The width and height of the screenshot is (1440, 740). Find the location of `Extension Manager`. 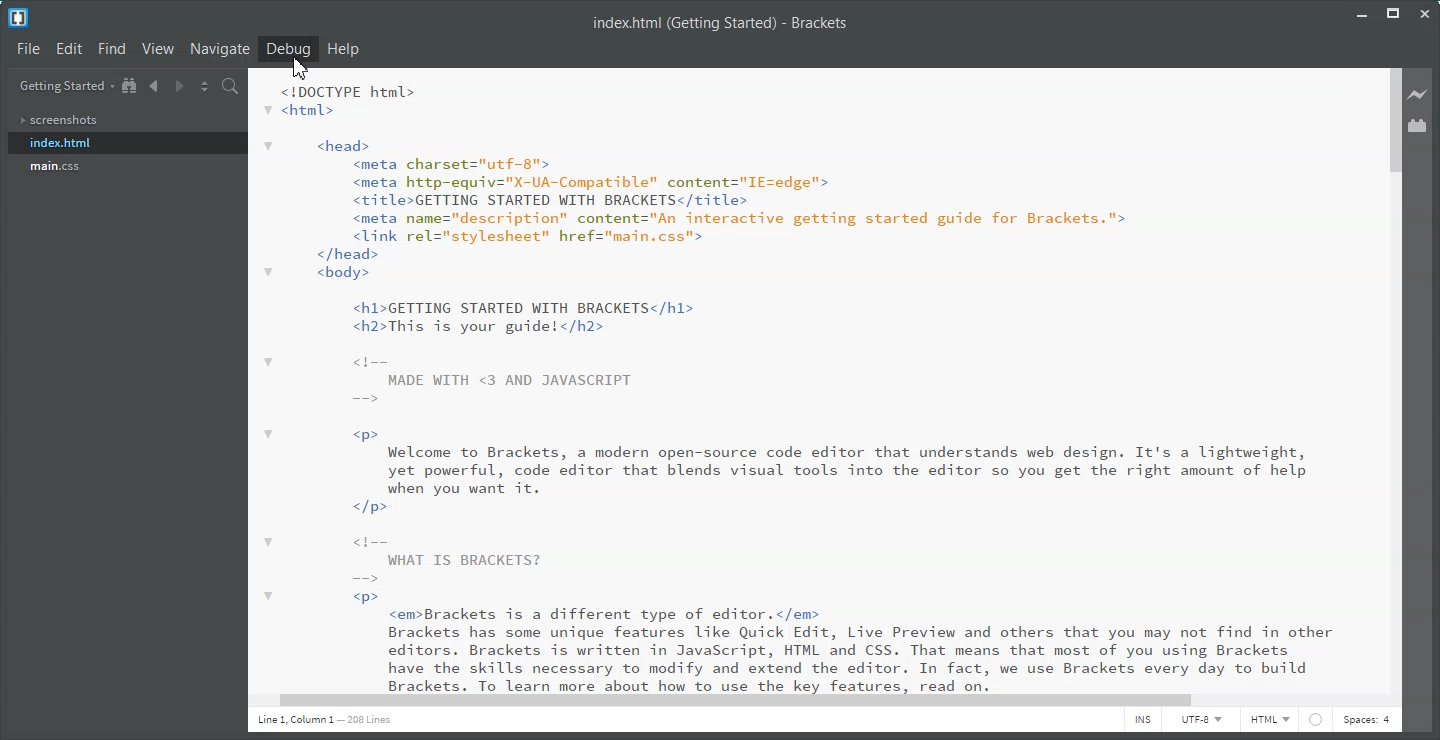

Extension Manager is located at coordinates (1419, 126).